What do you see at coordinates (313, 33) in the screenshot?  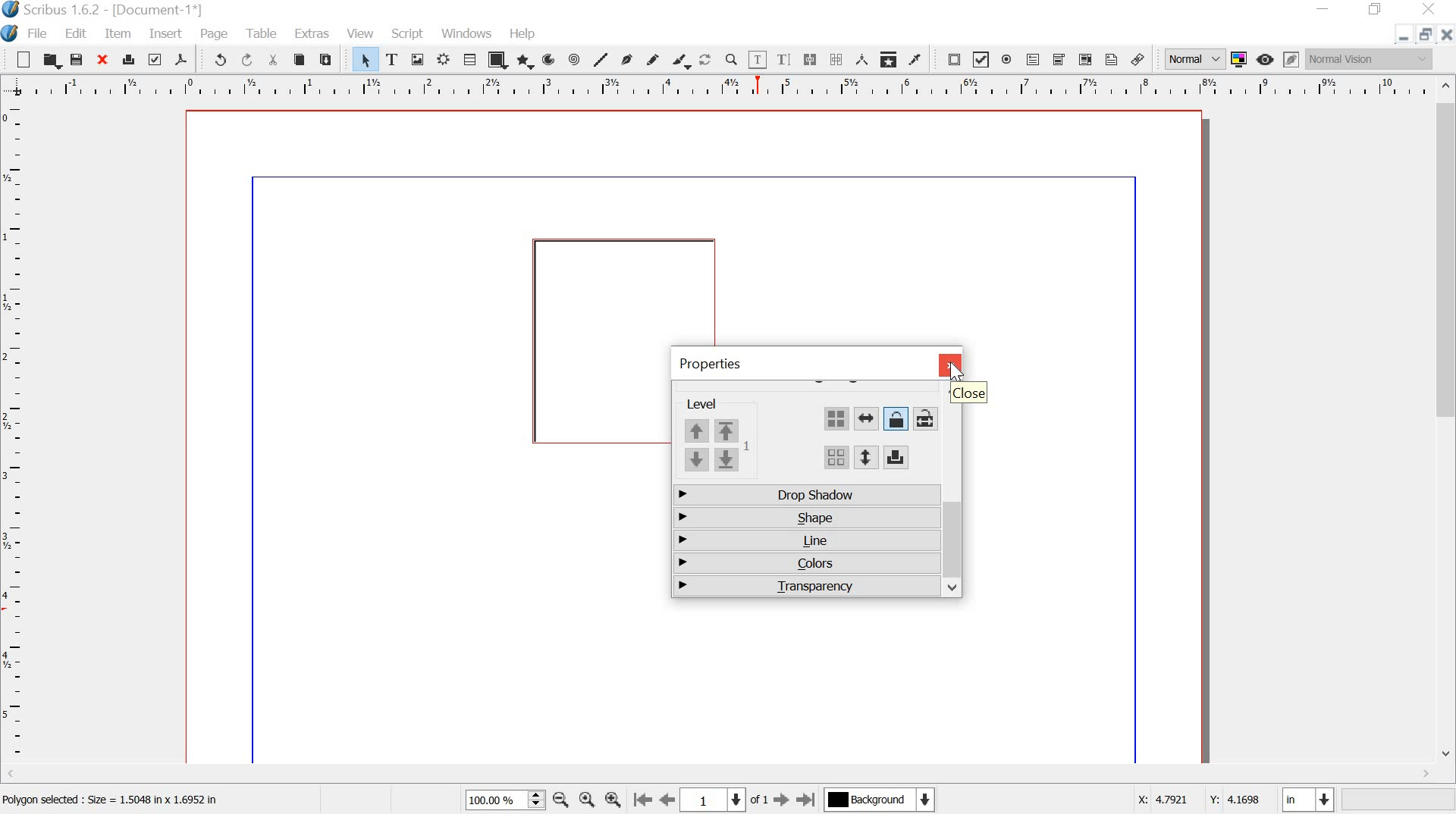 I see `extras` at bounding box center [313, 33].